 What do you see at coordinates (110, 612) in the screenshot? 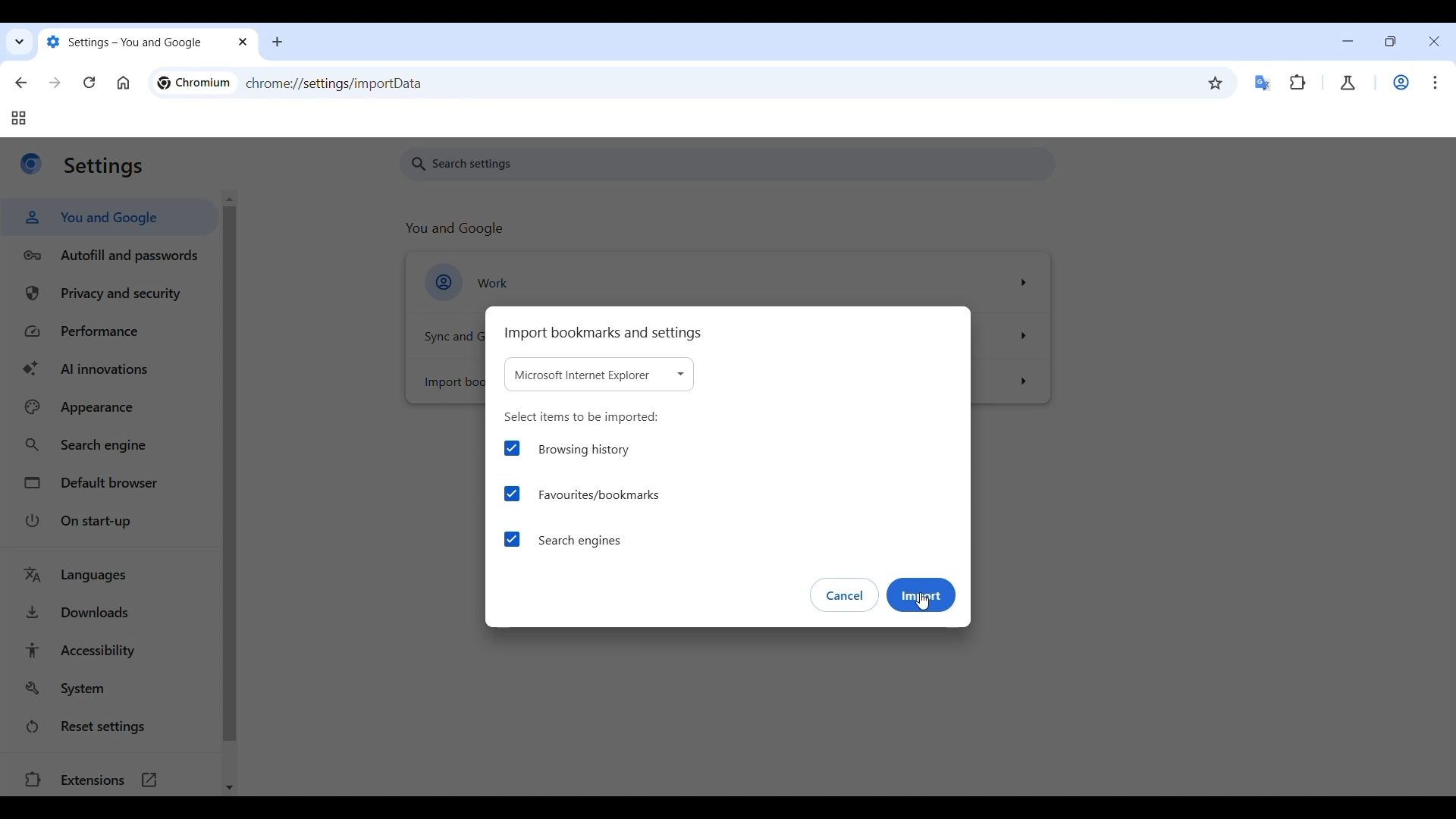
I see `Downloads` at bounding box center [110, 612].